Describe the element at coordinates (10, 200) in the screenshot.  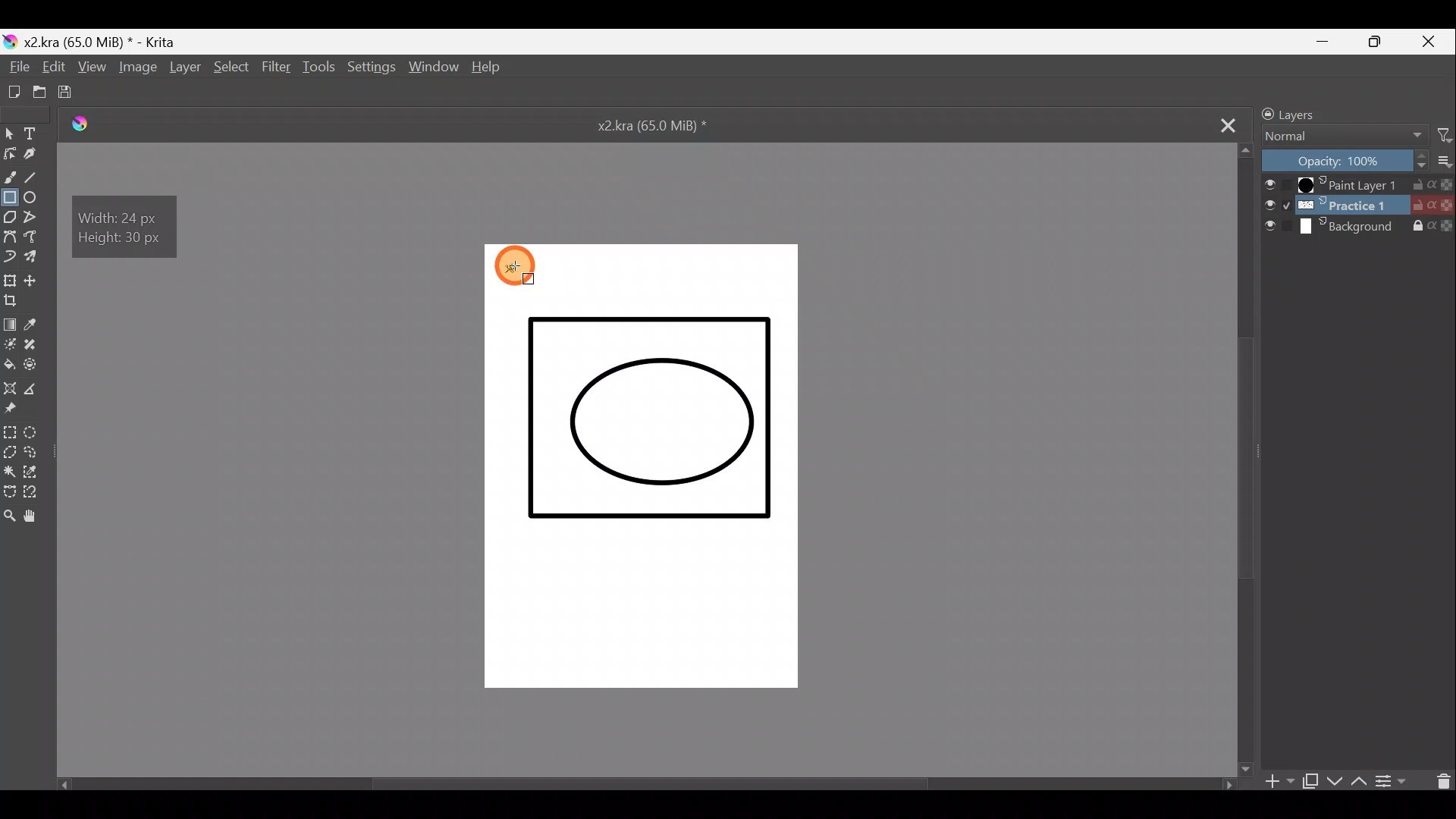
I see `Rectangle tool` at that location.